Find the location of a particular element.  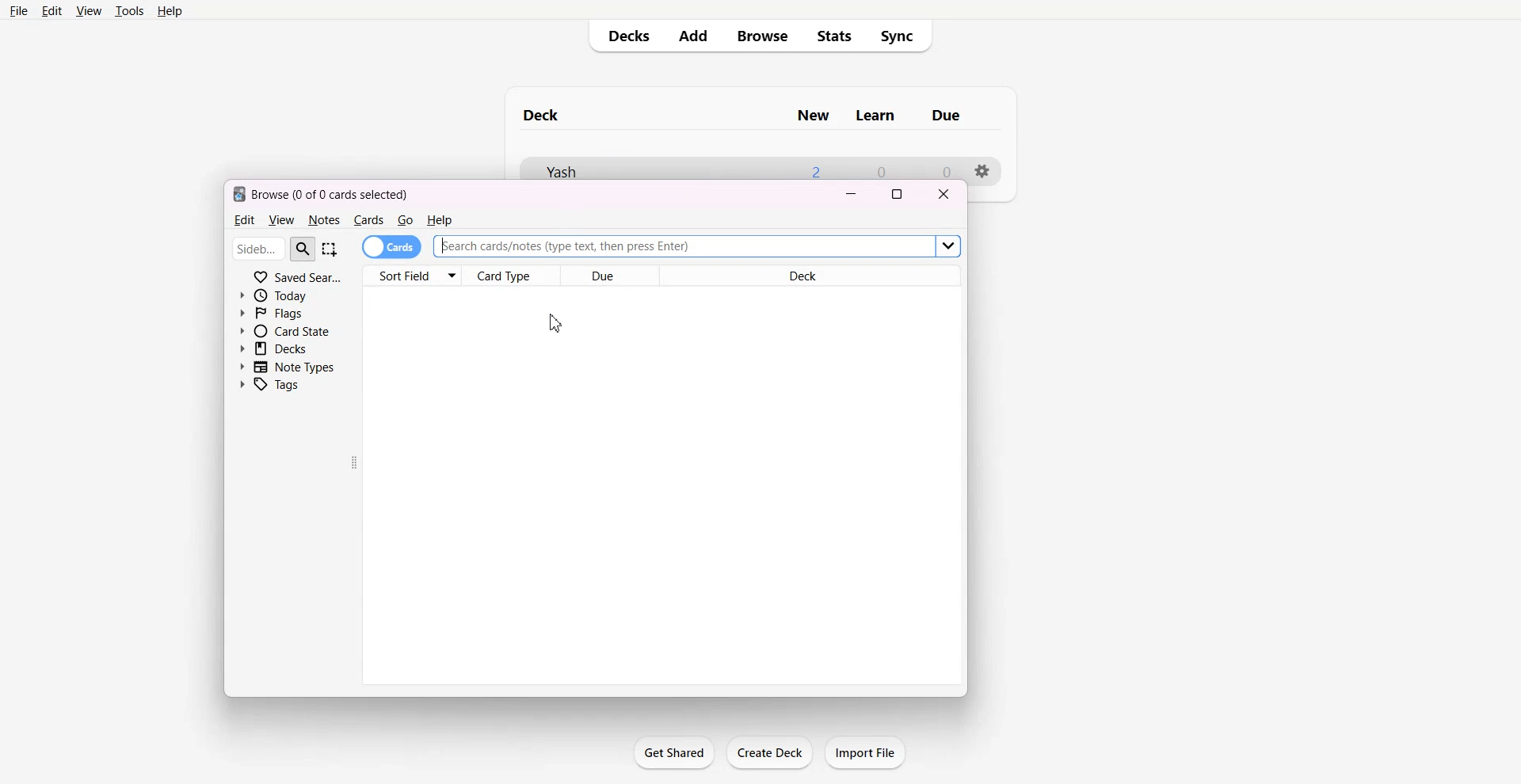

0 is located at coordinates (940, 167).